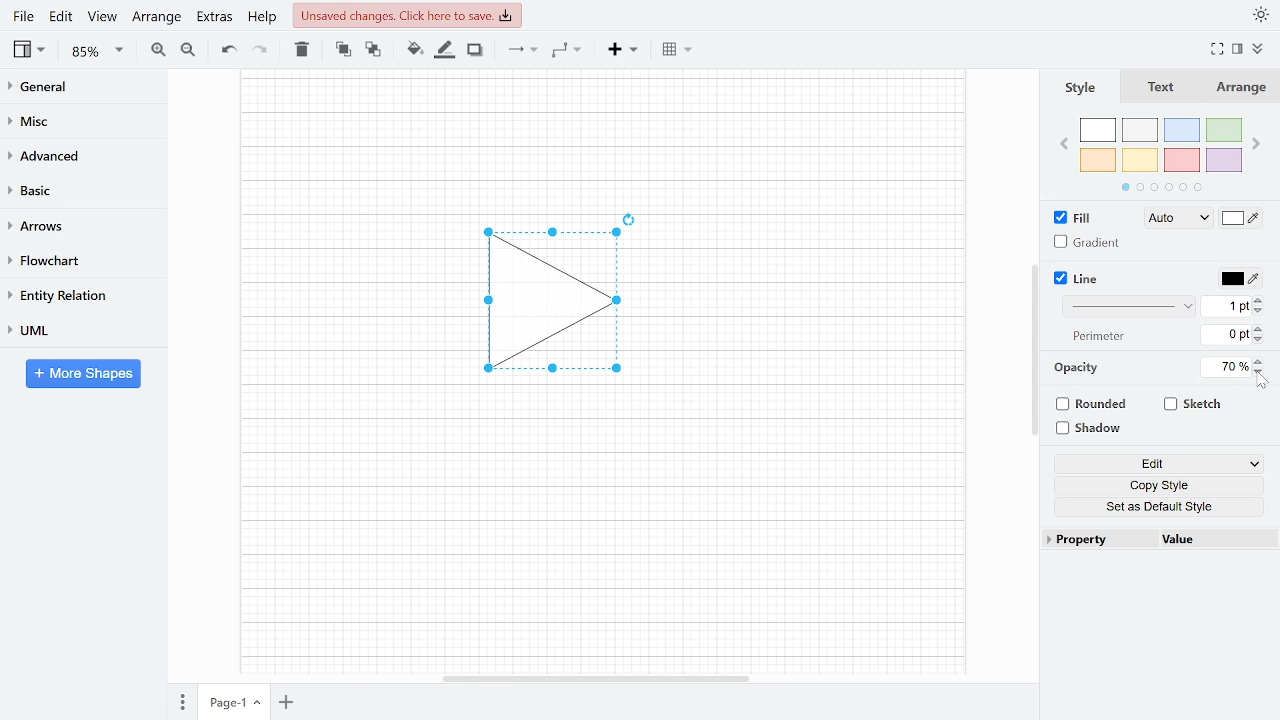  Describe the element at coordinates (158, 49) in the screenshot. I see `Zoom in` at that location.